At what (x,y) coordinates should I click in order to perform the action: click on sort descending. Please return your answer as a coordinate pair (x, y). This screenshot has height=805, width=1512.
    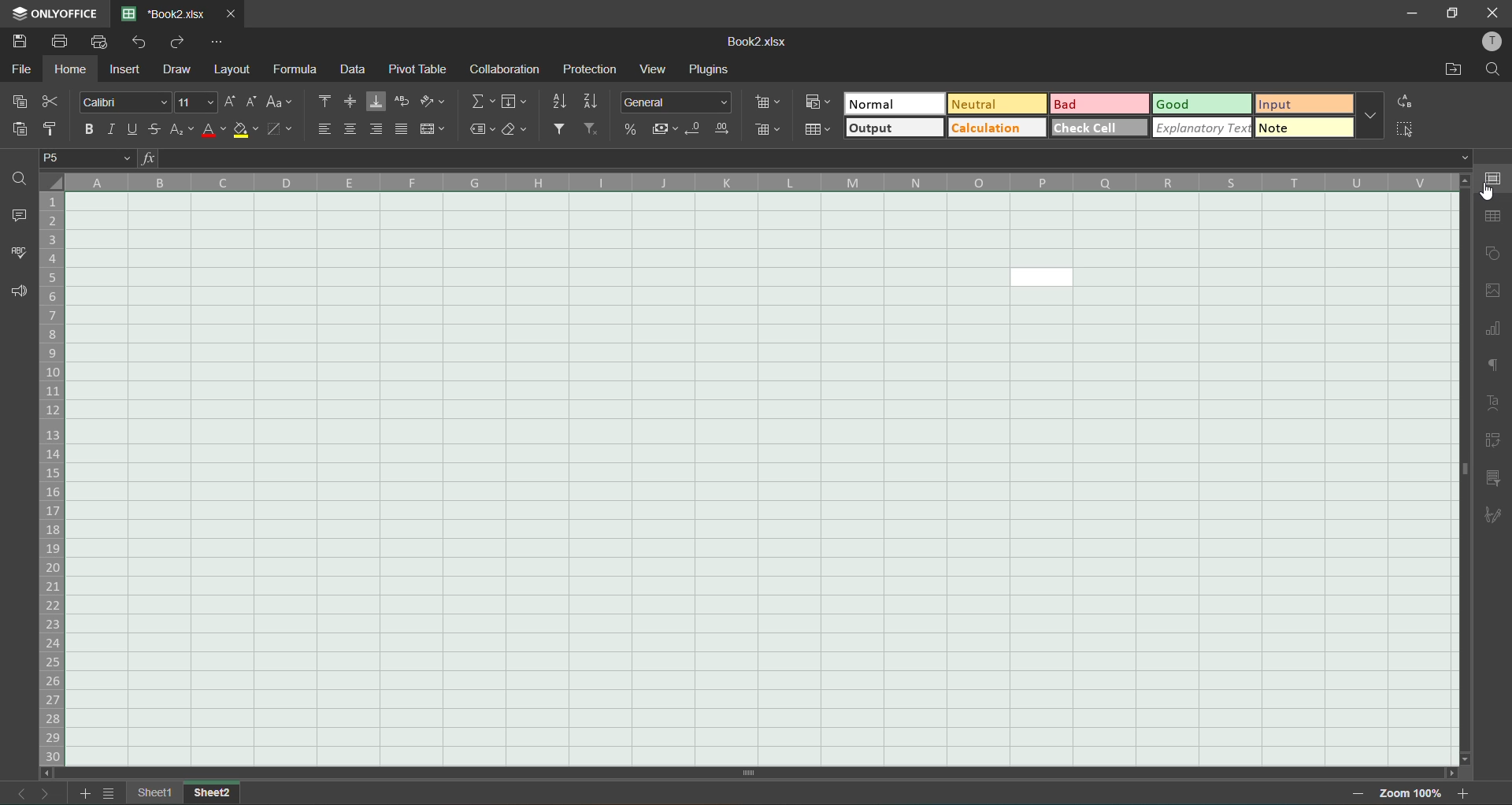
    Looking at the image, I should click on (597, 104).